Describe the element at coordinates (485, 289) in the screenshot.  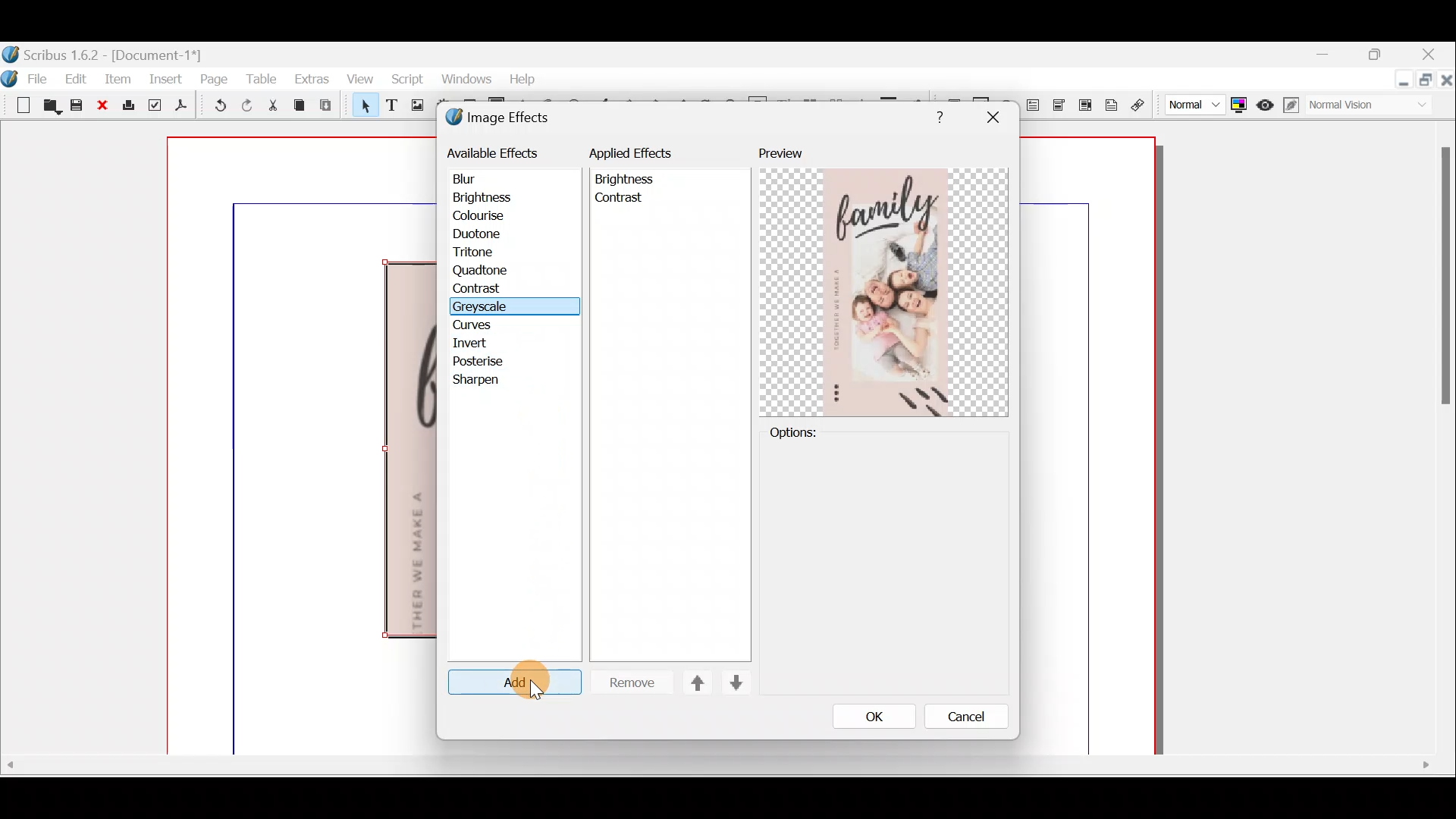
I see `contrast` at that location.